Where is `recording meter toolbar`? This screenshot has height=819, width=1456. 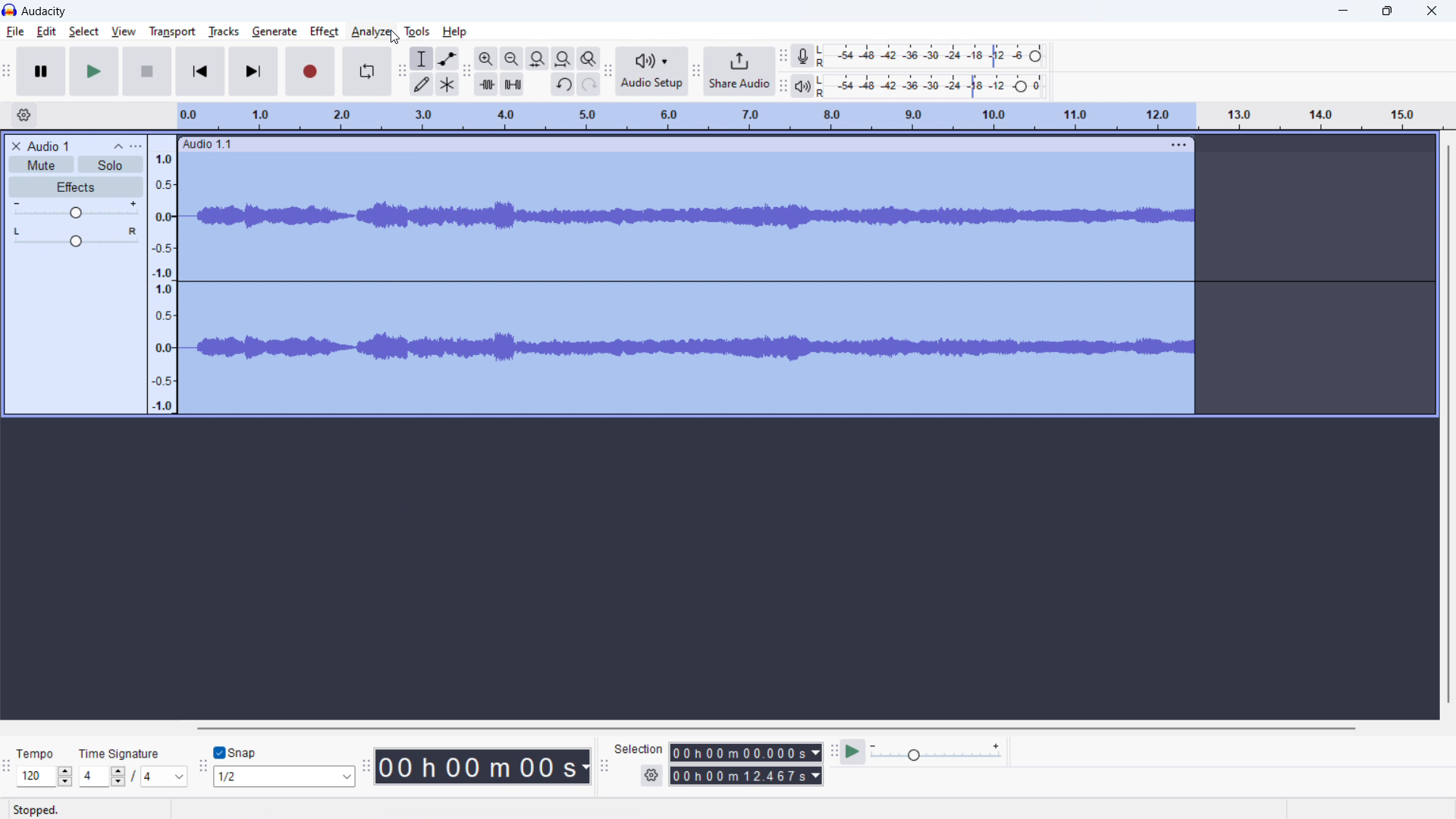 recording meter toolbar is located at coordinates (782, 58).